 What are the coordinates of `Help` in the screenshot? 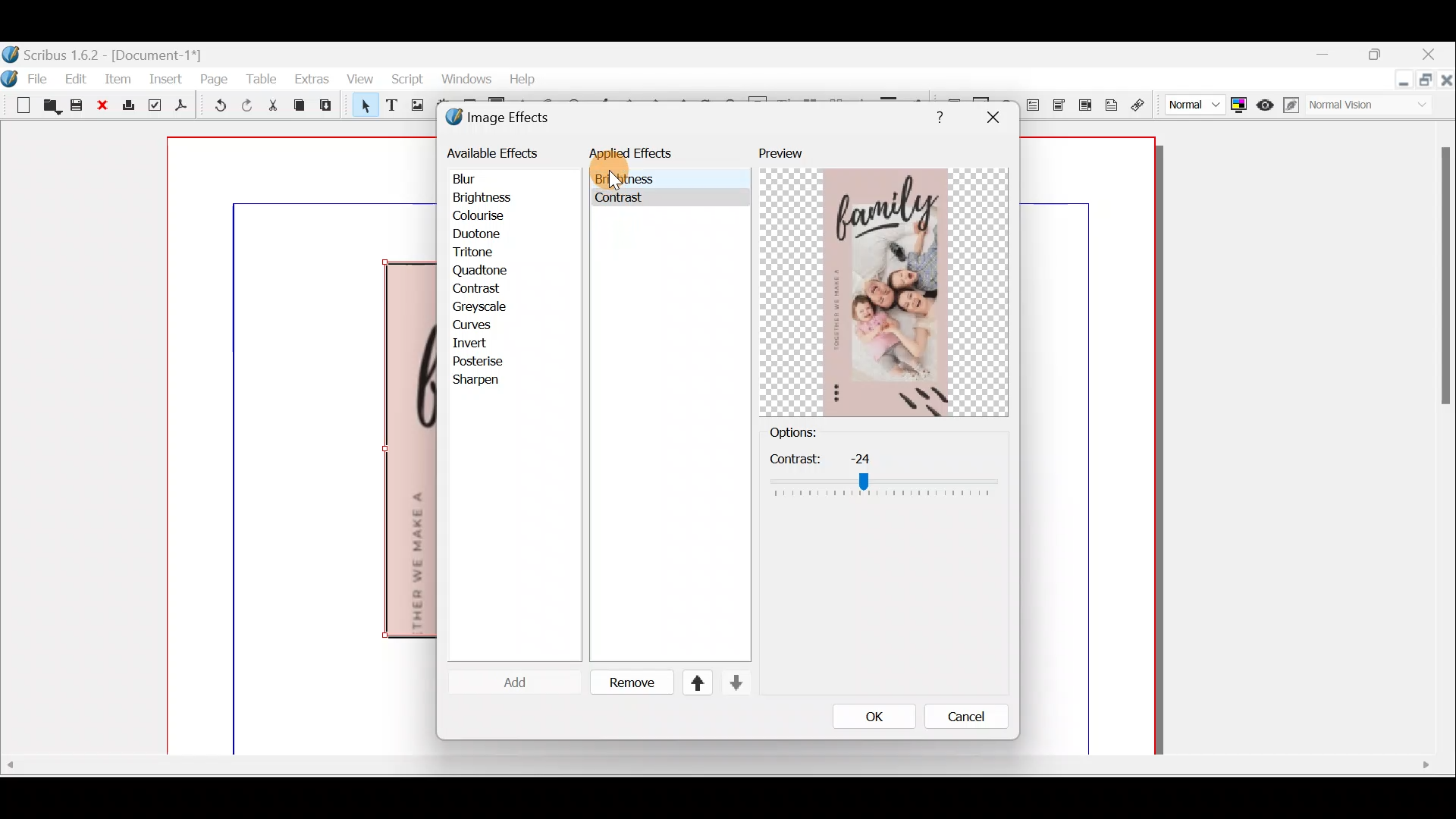 It's located at (526, 77).